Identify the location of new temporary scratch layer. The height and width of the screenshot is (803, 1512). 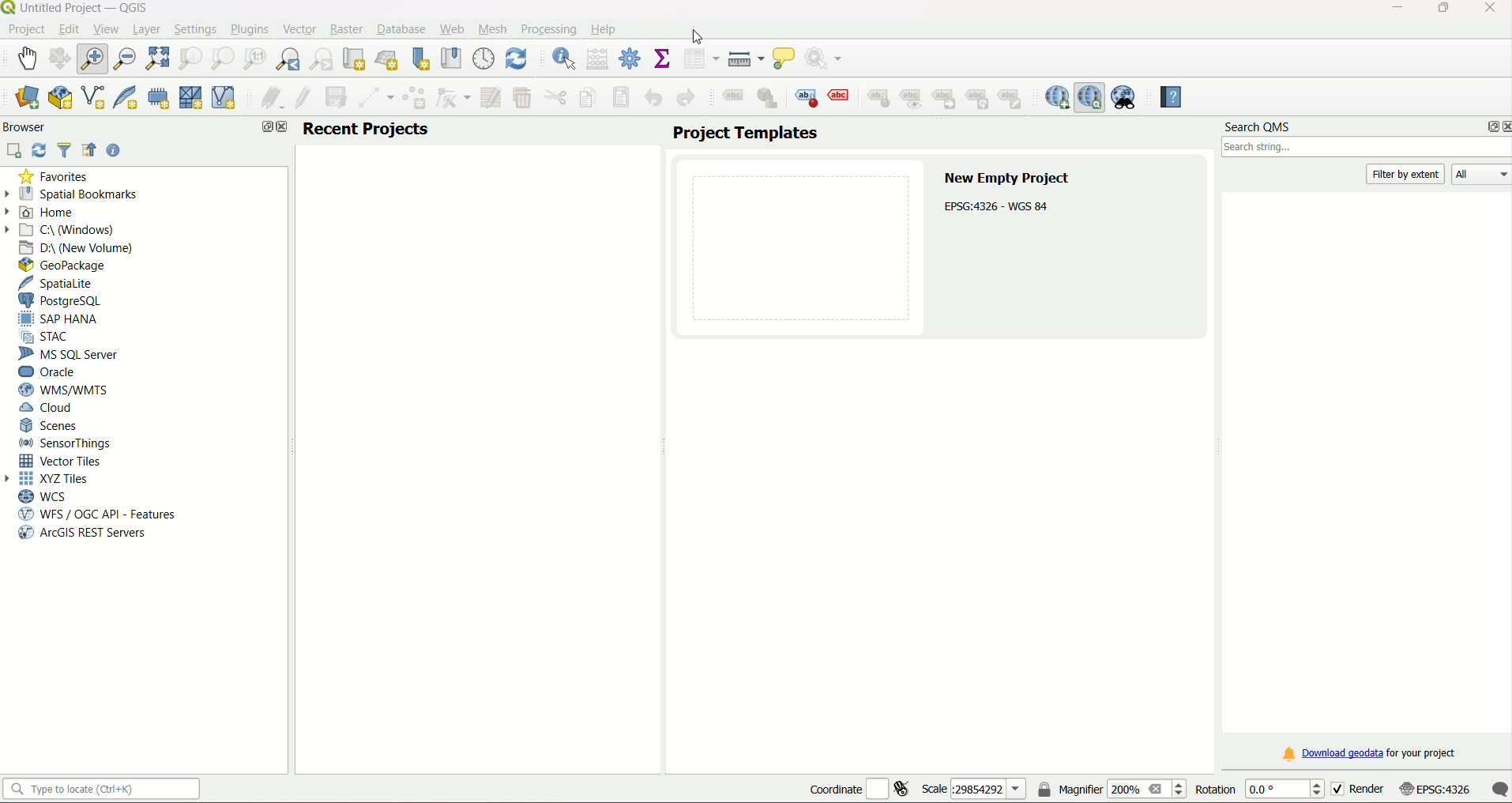
(158, 97).